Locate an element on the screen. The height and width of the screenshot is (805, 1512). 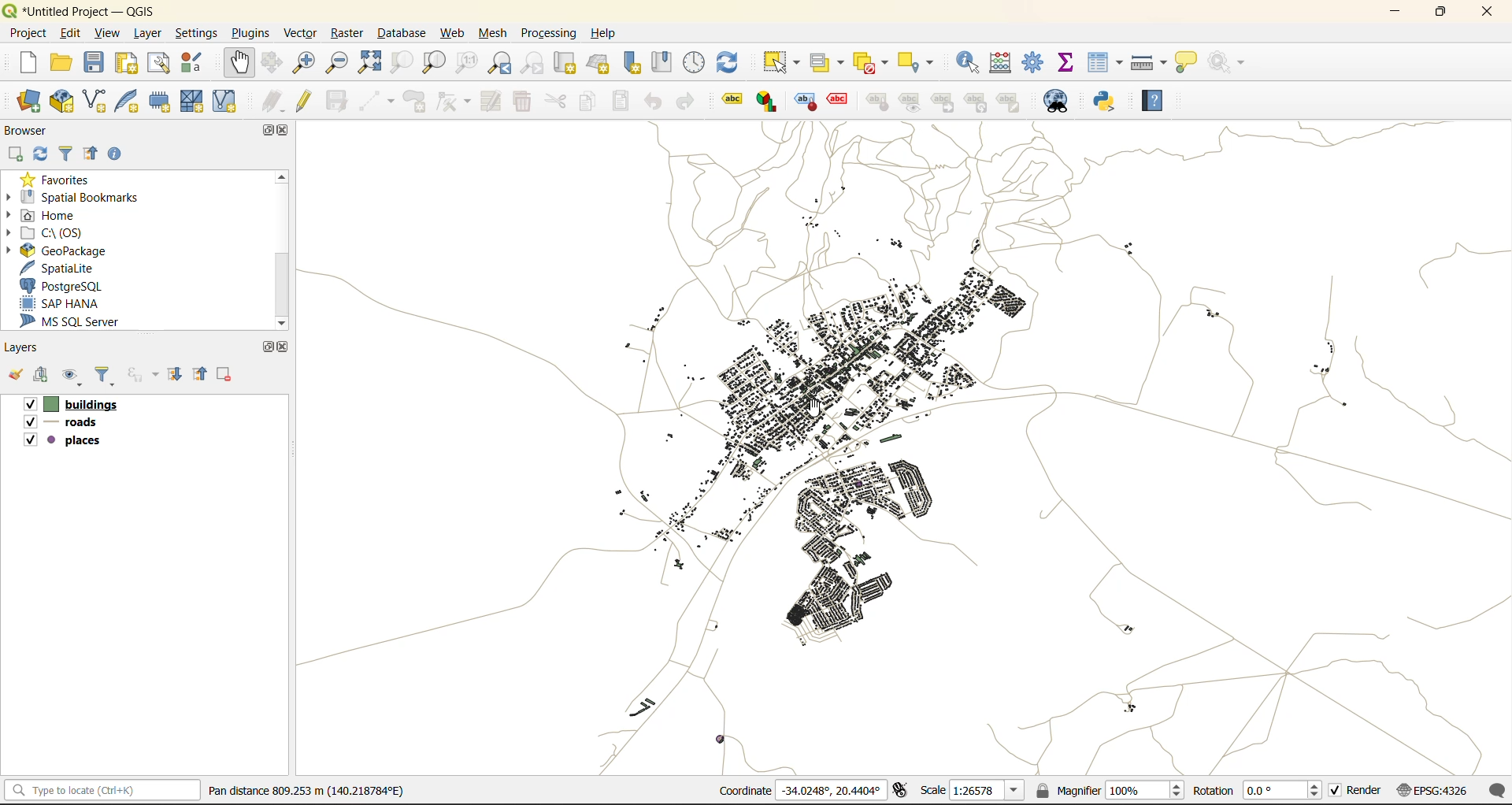
python is located at coordinates (1106, 102).